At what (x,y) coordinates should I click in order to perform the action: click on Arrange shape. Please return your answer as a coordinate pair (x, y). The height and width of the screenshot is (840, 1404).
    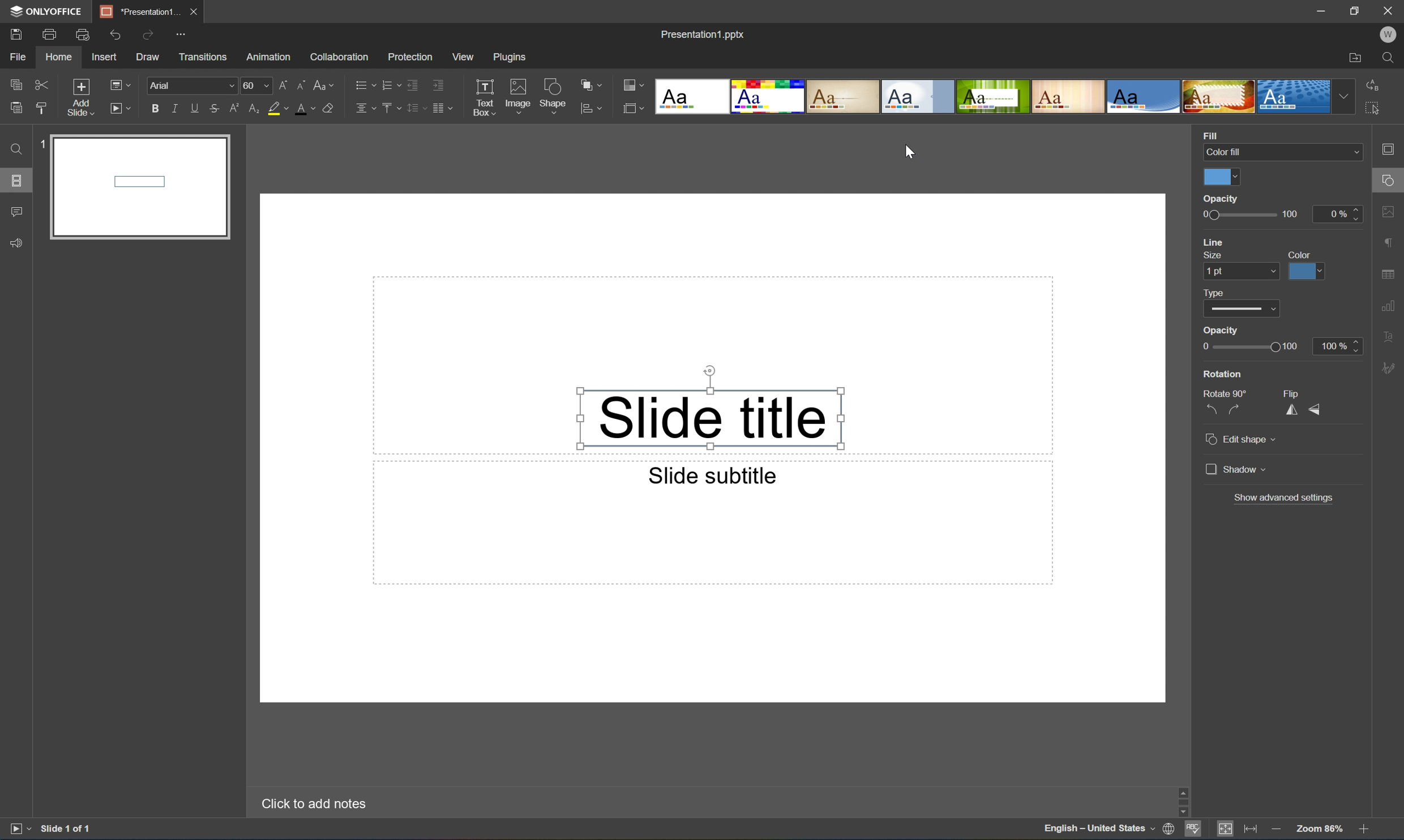
    Looking at the image, I should click on (590, 86).